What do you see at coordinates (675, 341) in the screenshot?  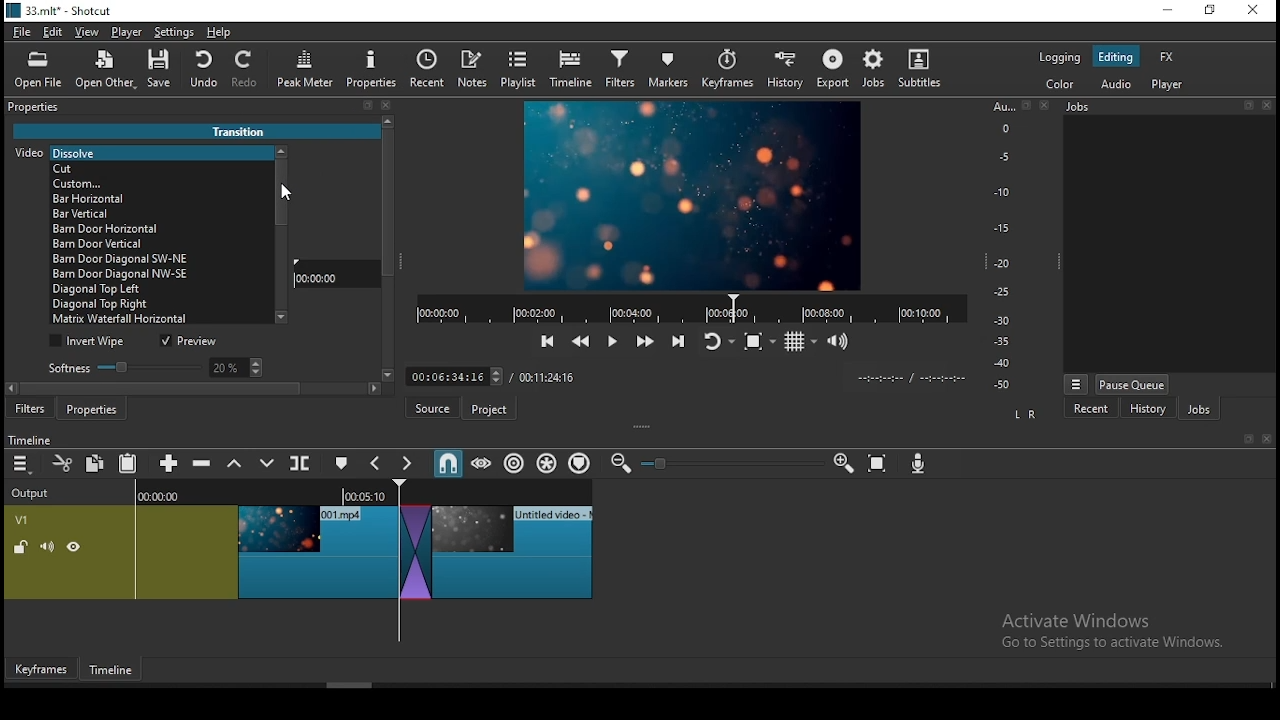 I see `skip to next point` at bounding box center [675, 341].